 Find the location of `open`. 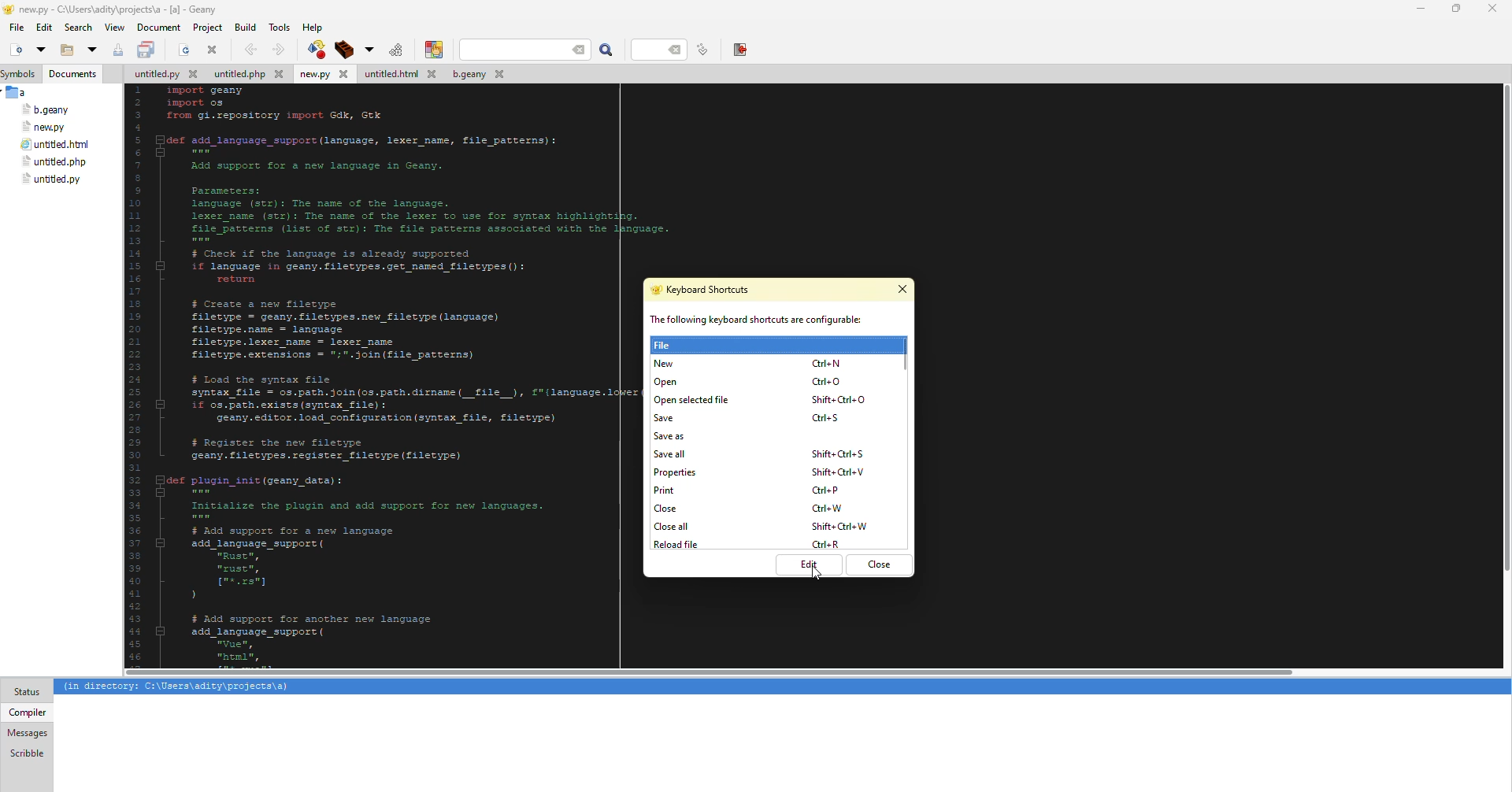

open is located at coordinates (666, 380).